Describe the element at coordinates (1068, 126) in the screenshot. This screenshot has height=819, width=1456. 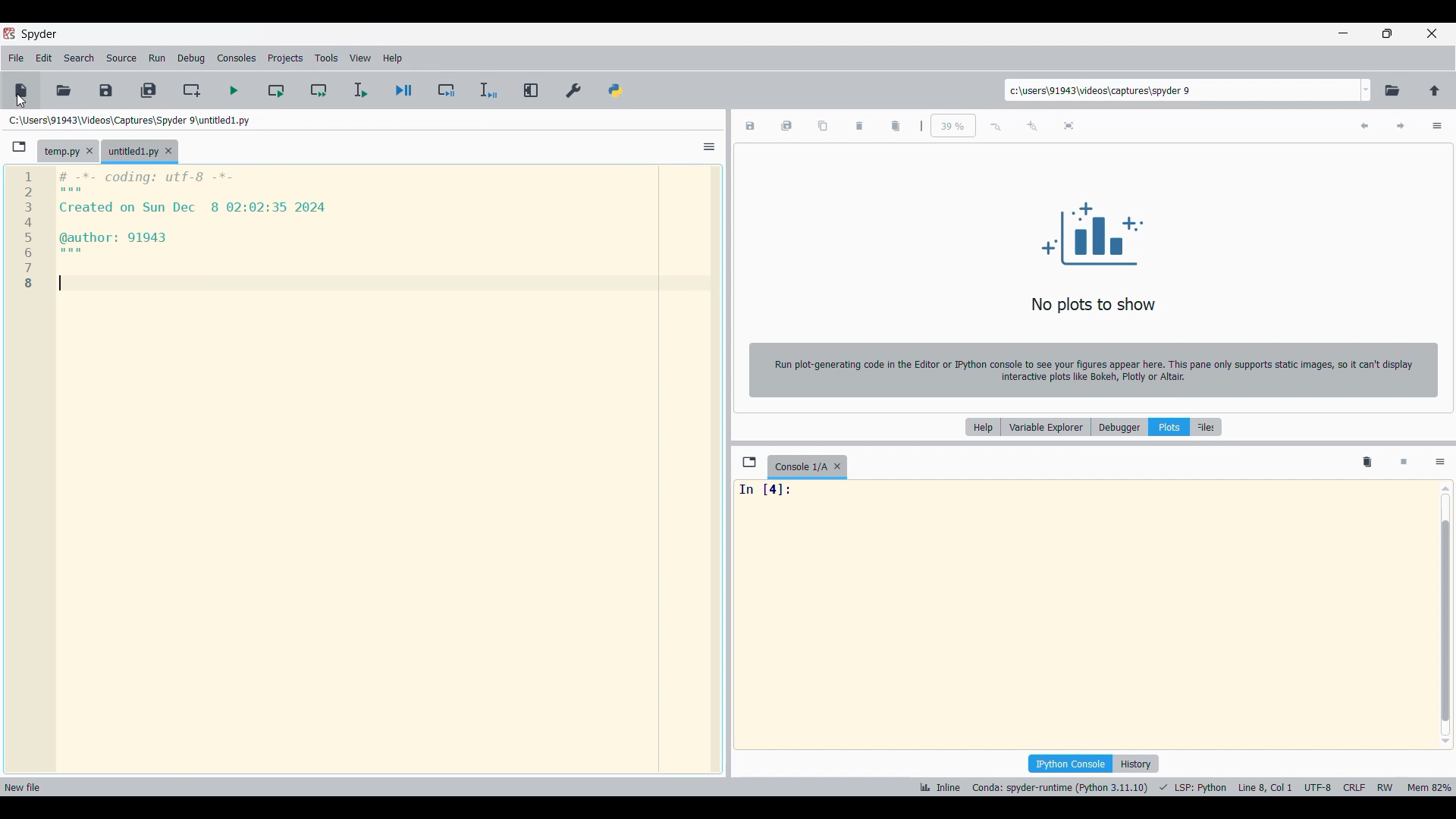
I see `Fit plot to the pane size` at that location.